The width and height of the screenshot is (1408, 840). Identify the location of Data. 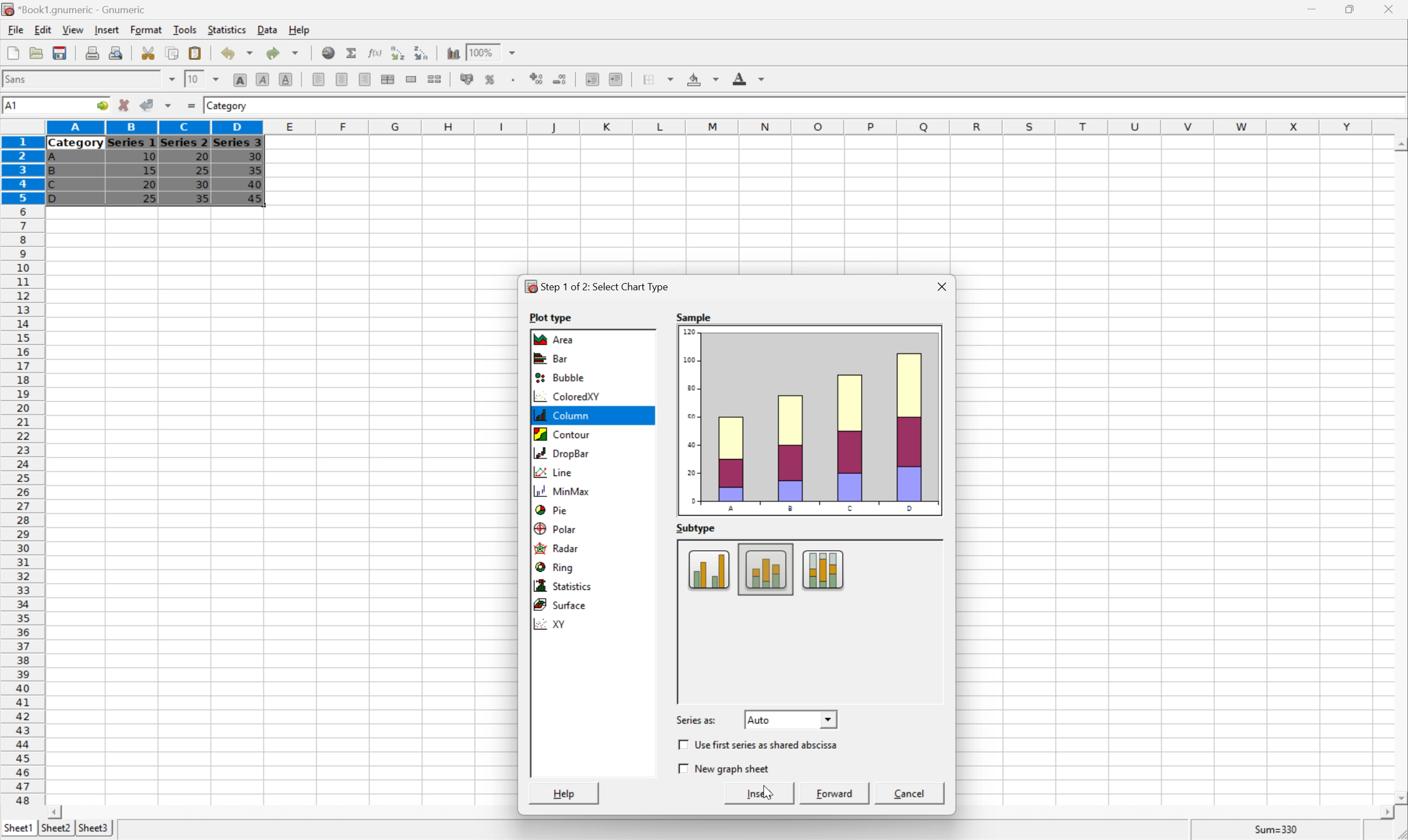
(268, 28).